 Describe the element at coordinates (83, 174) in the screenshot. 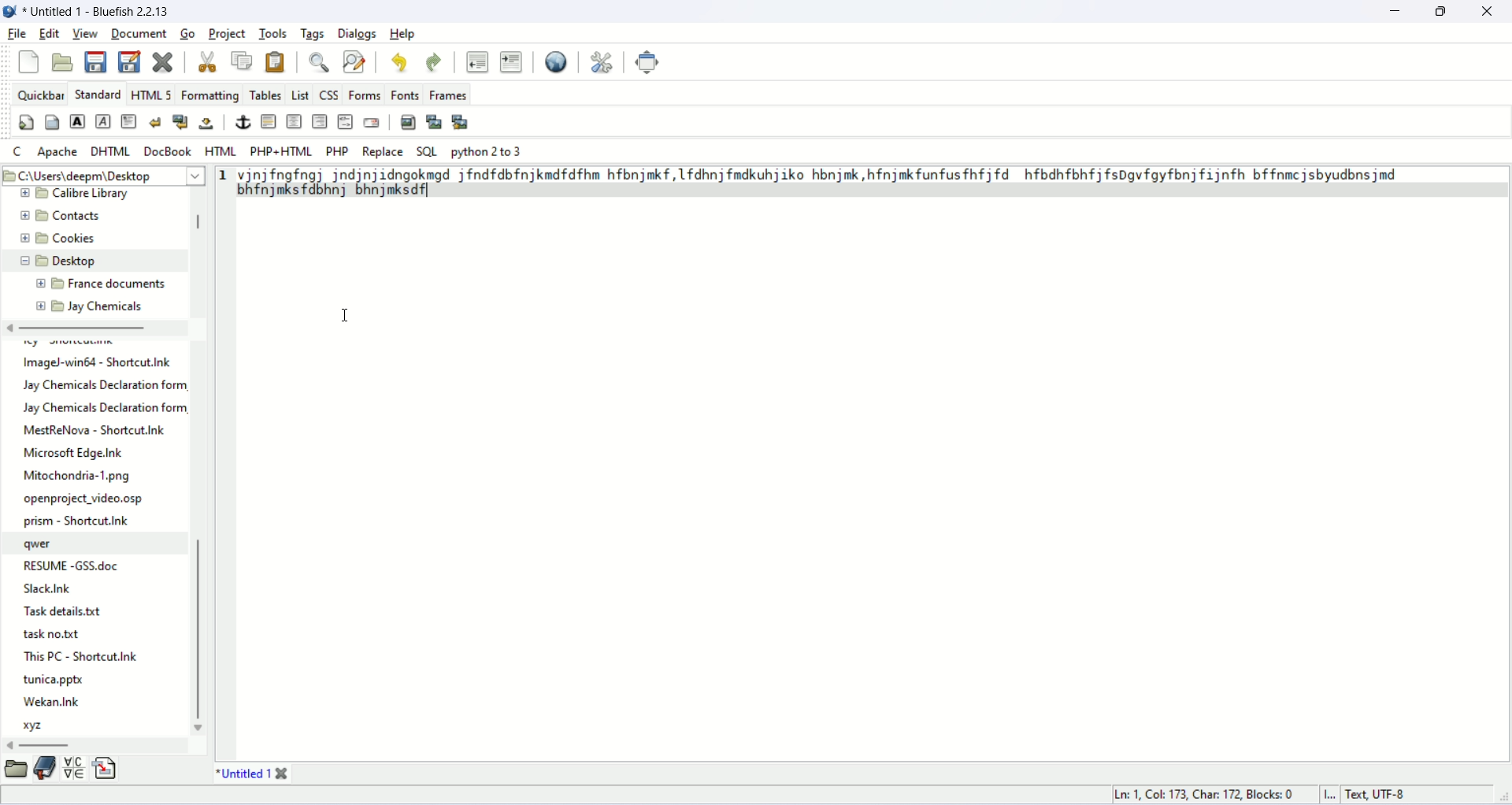

I see `5 C:\Users\deepm\Desktop` at that location.